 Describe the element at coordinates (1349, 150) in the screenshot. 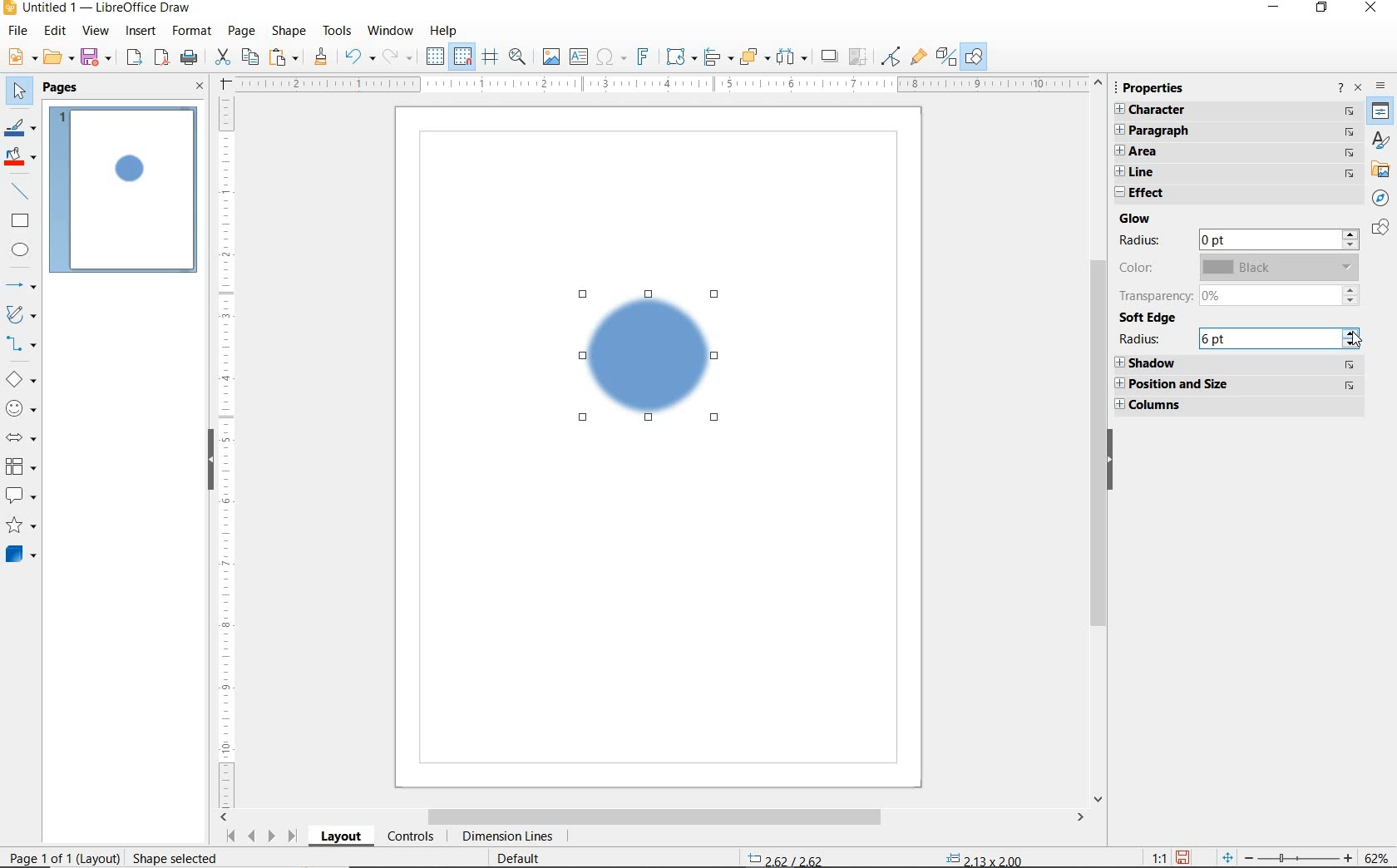

I see `navigate` at that location.